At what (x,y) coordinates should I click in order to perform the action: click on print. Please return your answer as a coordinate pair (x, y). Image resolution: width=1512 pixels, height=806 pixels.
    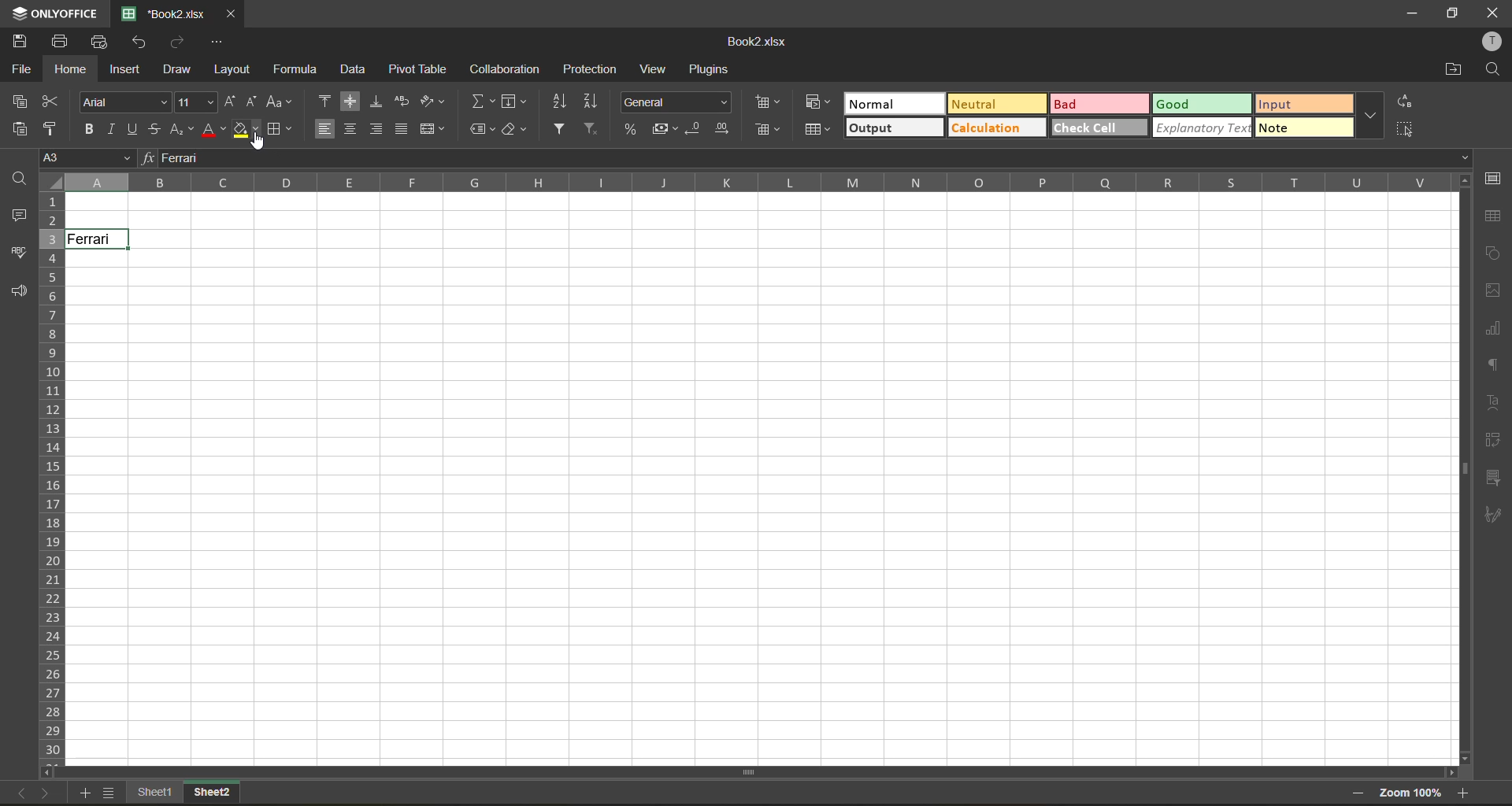
    Looking at the image, I should click on (63, 41).